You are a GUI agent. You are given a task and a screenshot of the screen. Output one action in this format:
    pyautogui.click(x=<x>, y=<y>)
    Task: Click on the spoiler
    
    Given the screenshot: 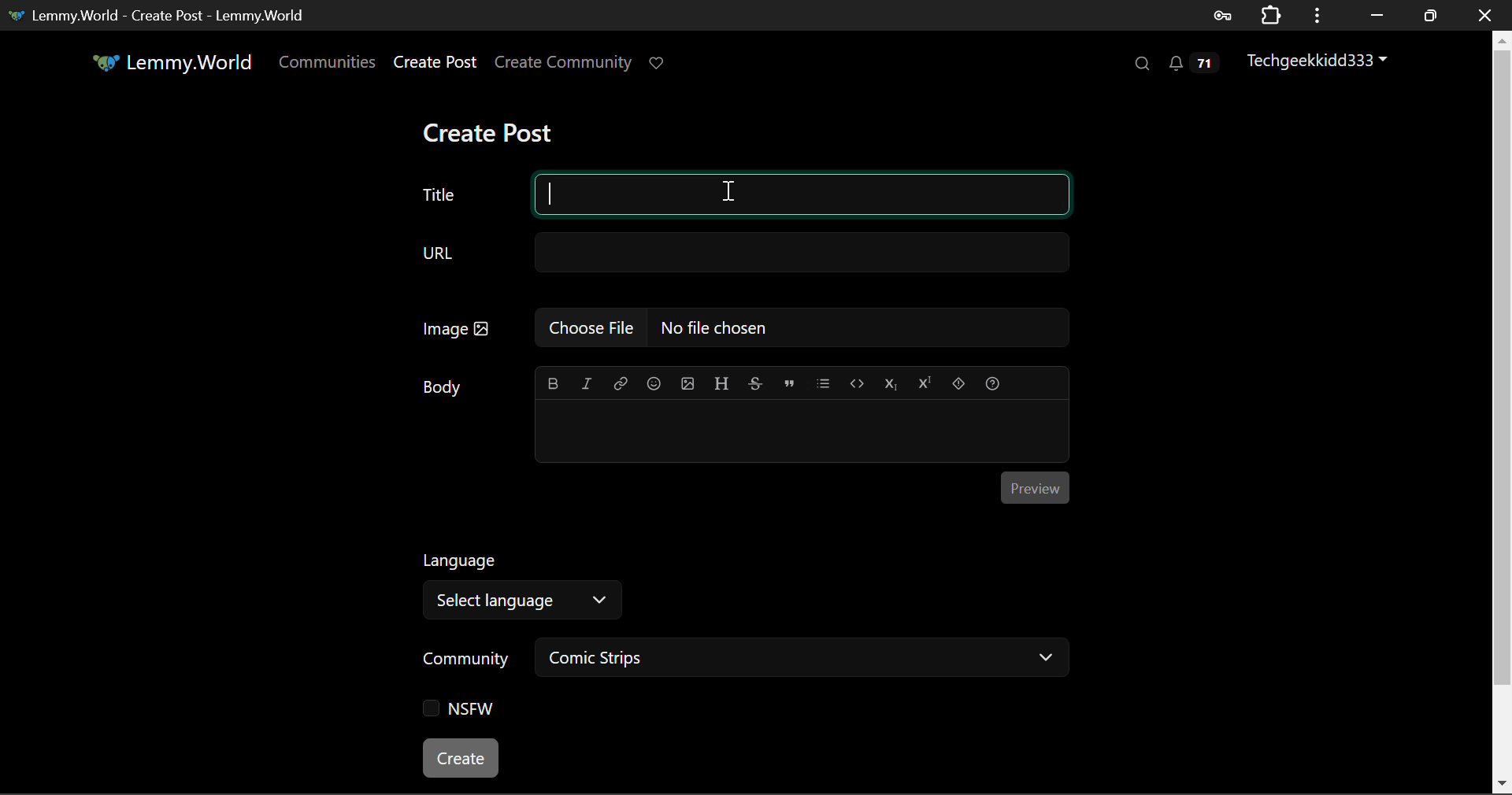 What is the action you would take?
    pyautogui.click(x=958, y=383)
    